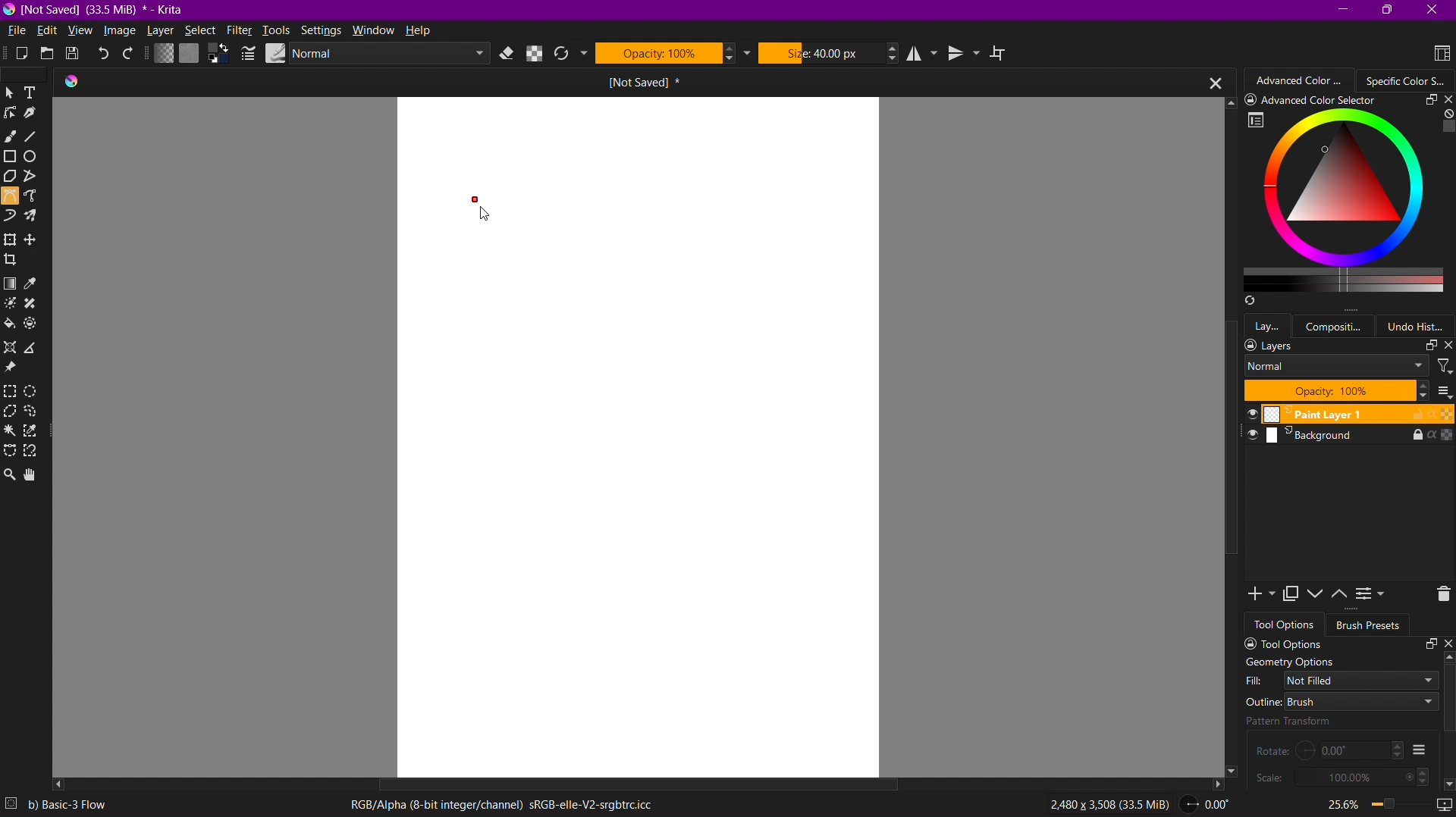  What do you see at coordinates (1361, 803) in the screenshot?
I see `Zoom` at bounding box center [1361, 803].